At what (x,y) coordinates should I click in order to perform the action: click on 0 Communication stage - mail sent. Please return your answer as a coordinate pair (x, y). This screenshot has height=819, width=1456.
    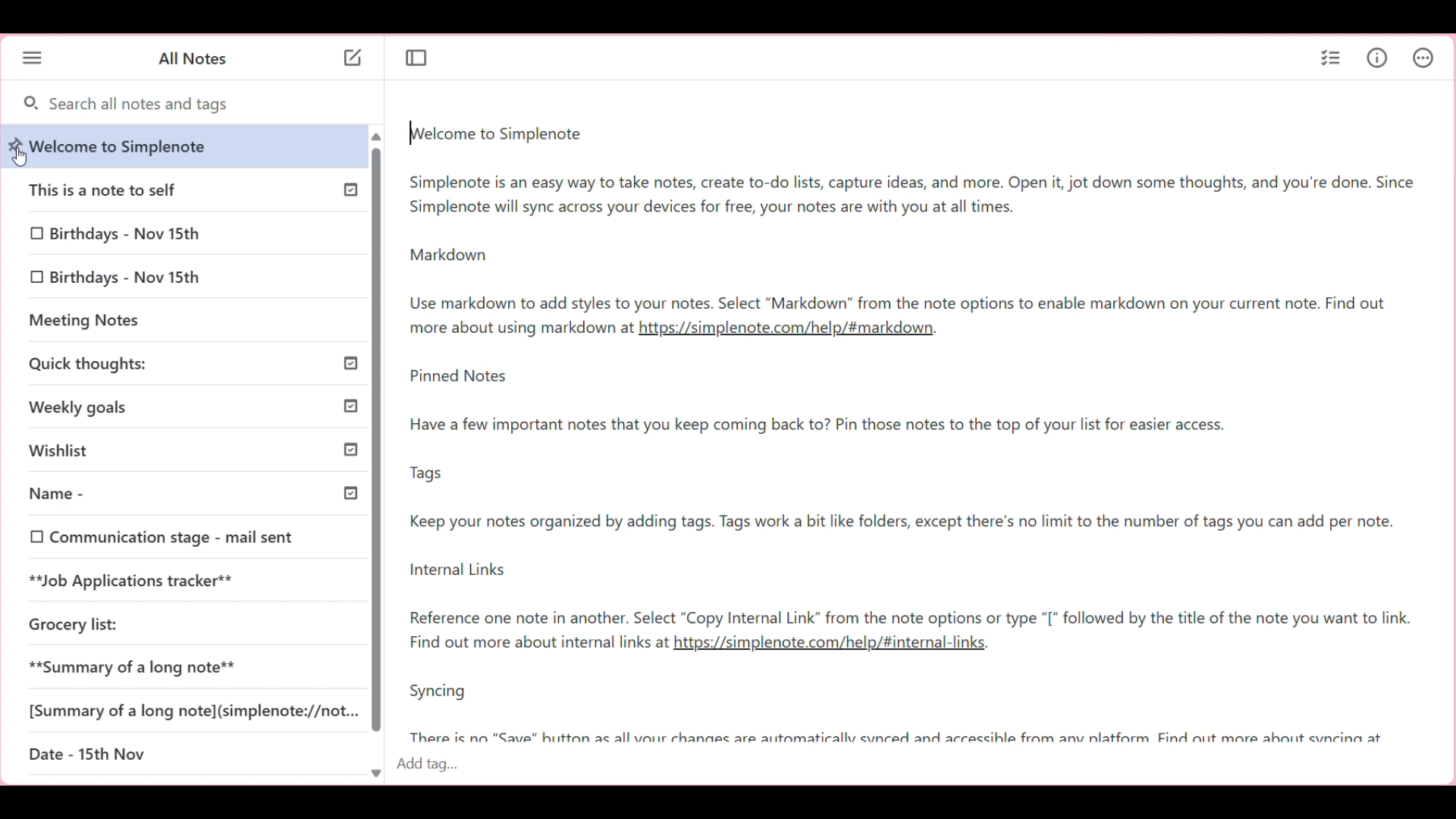
    Looking at the image, I should click on (162, 539).